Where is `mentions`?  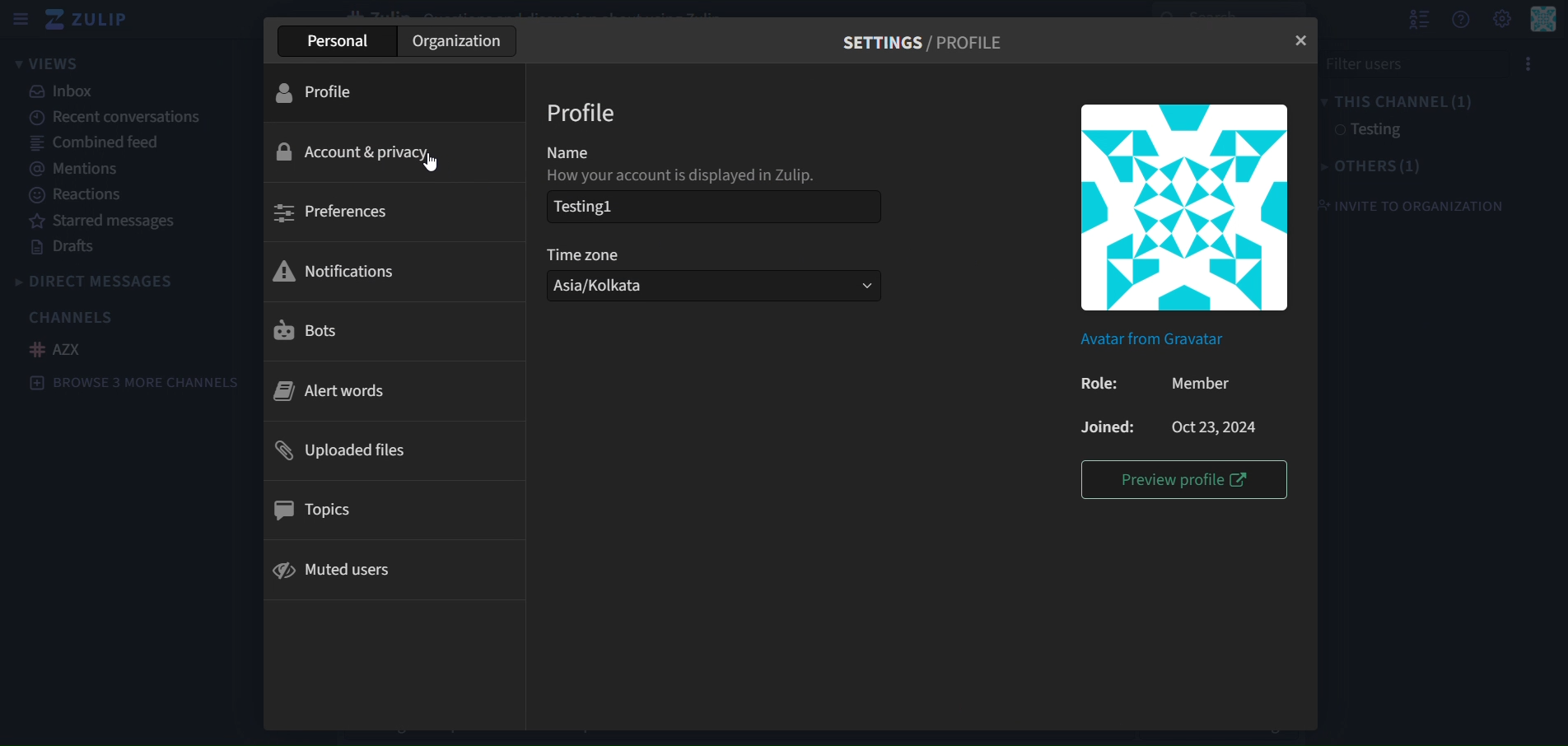
mentions is located at coordinates (77, 168).